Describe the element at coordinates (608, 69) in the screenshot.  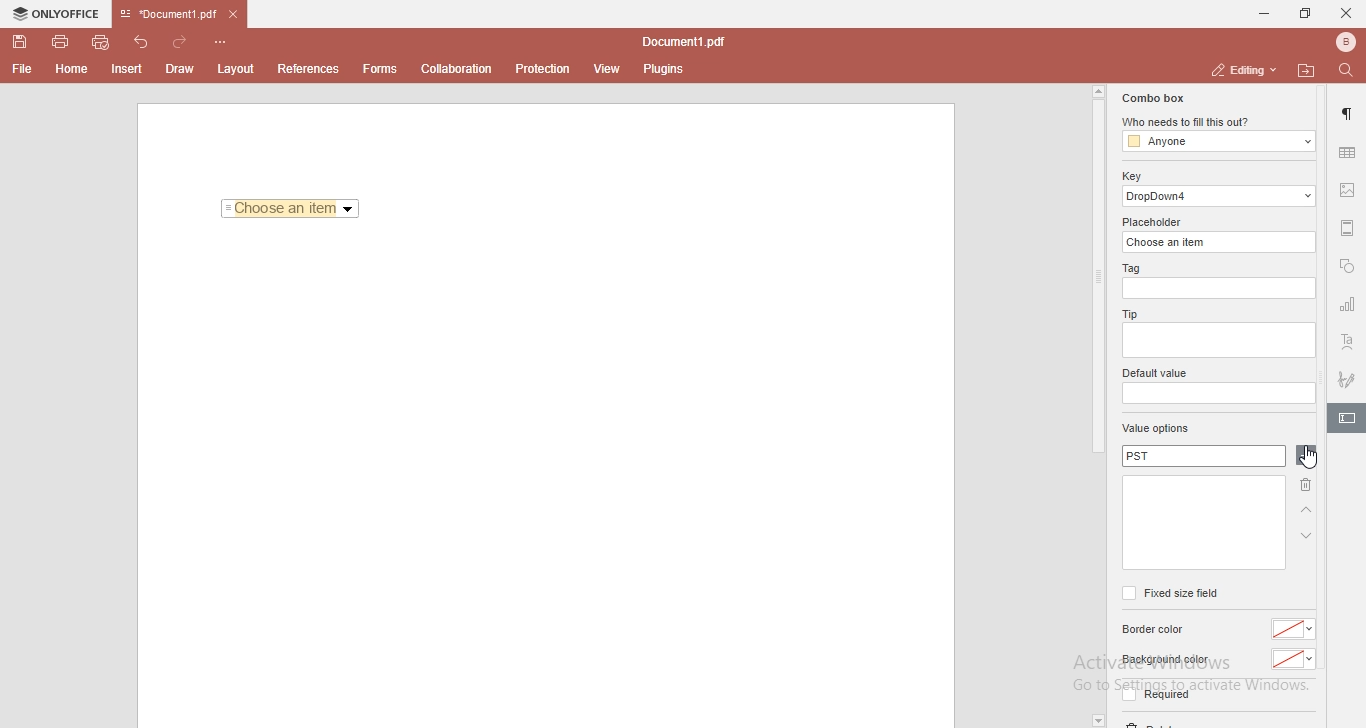
I see `view` at that location.